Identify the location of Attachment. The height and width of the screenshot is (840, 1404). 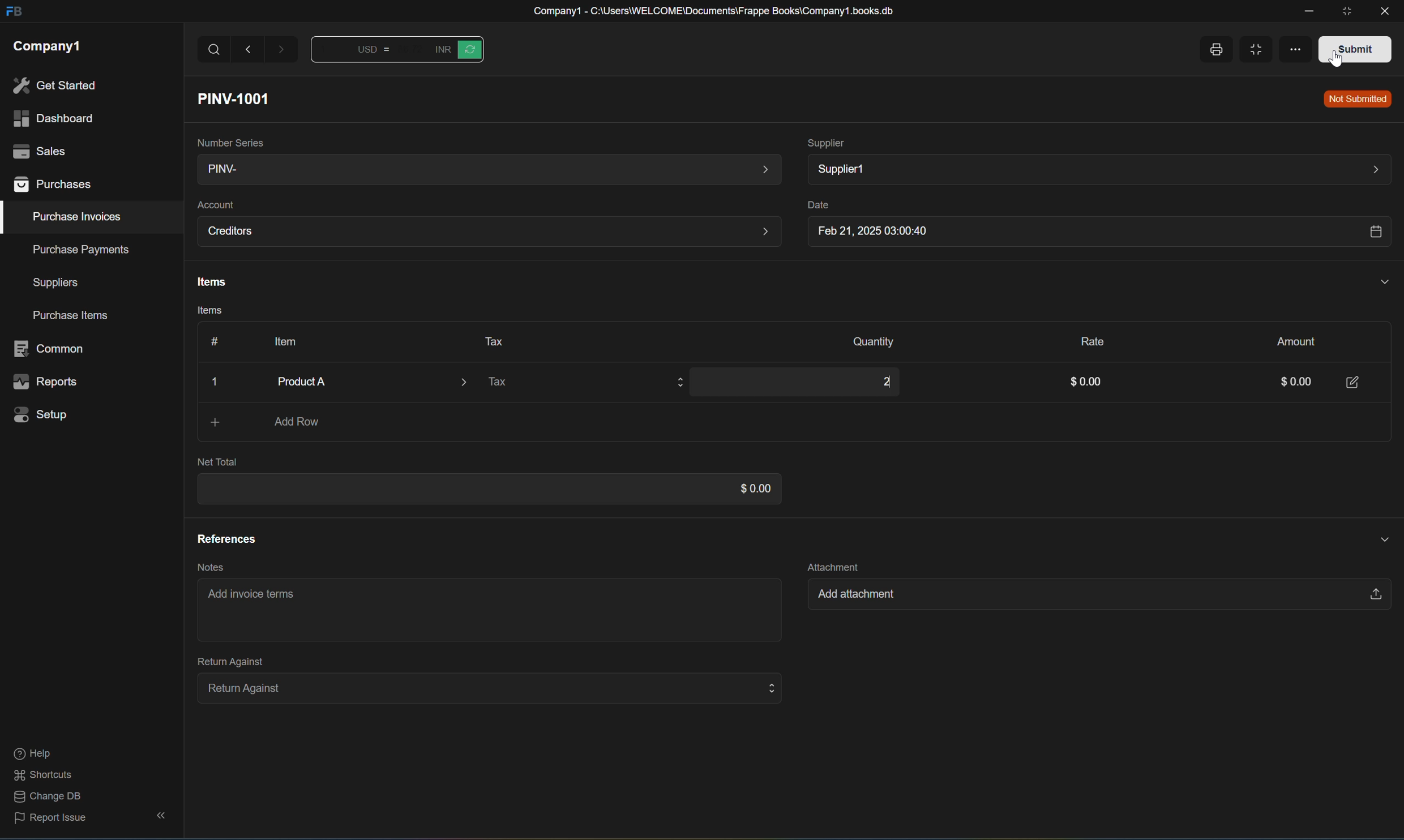
(833, 565).